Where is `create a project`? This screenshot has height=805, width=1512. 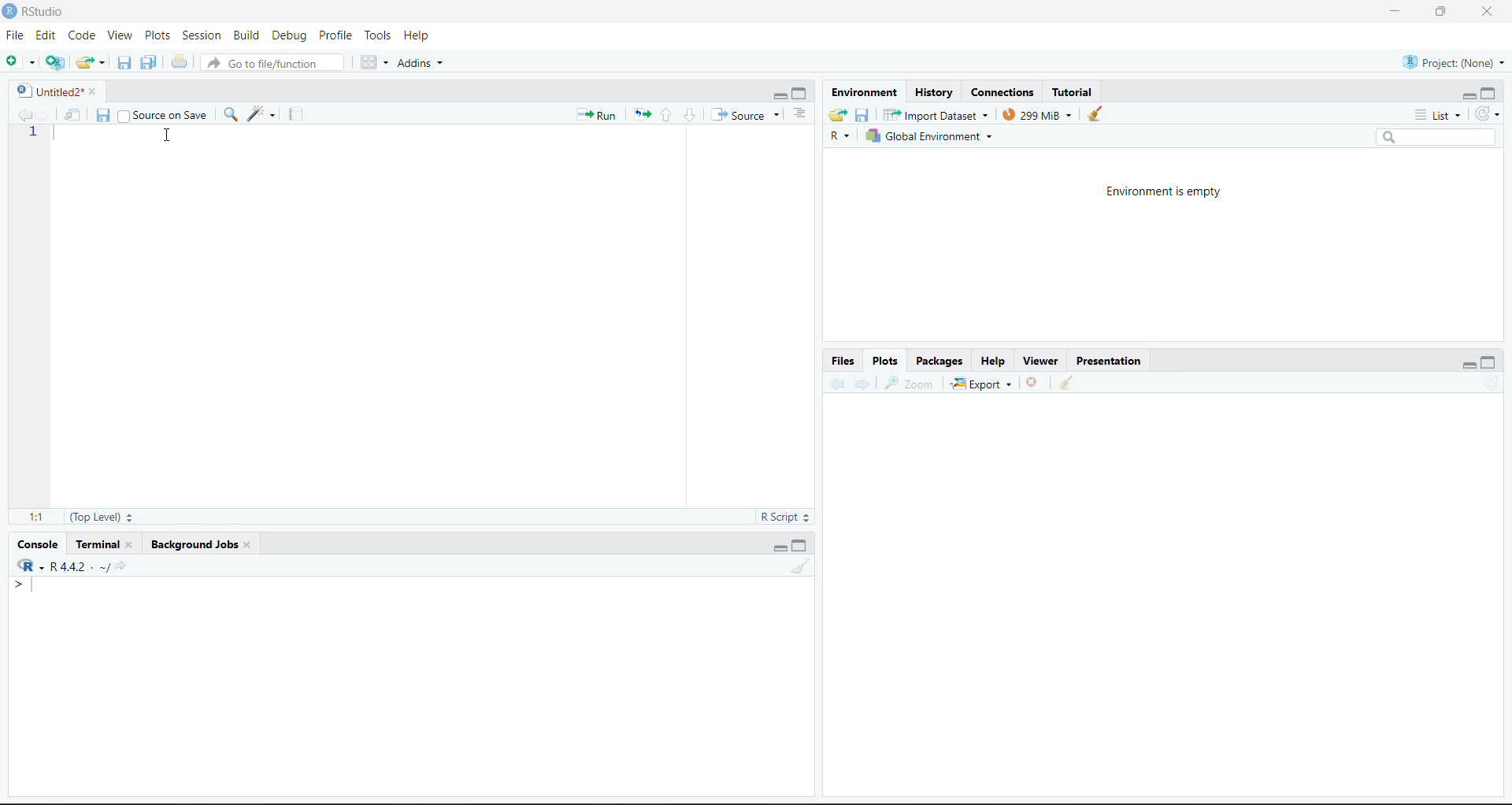
create a project is located at coordinates (56, 63).